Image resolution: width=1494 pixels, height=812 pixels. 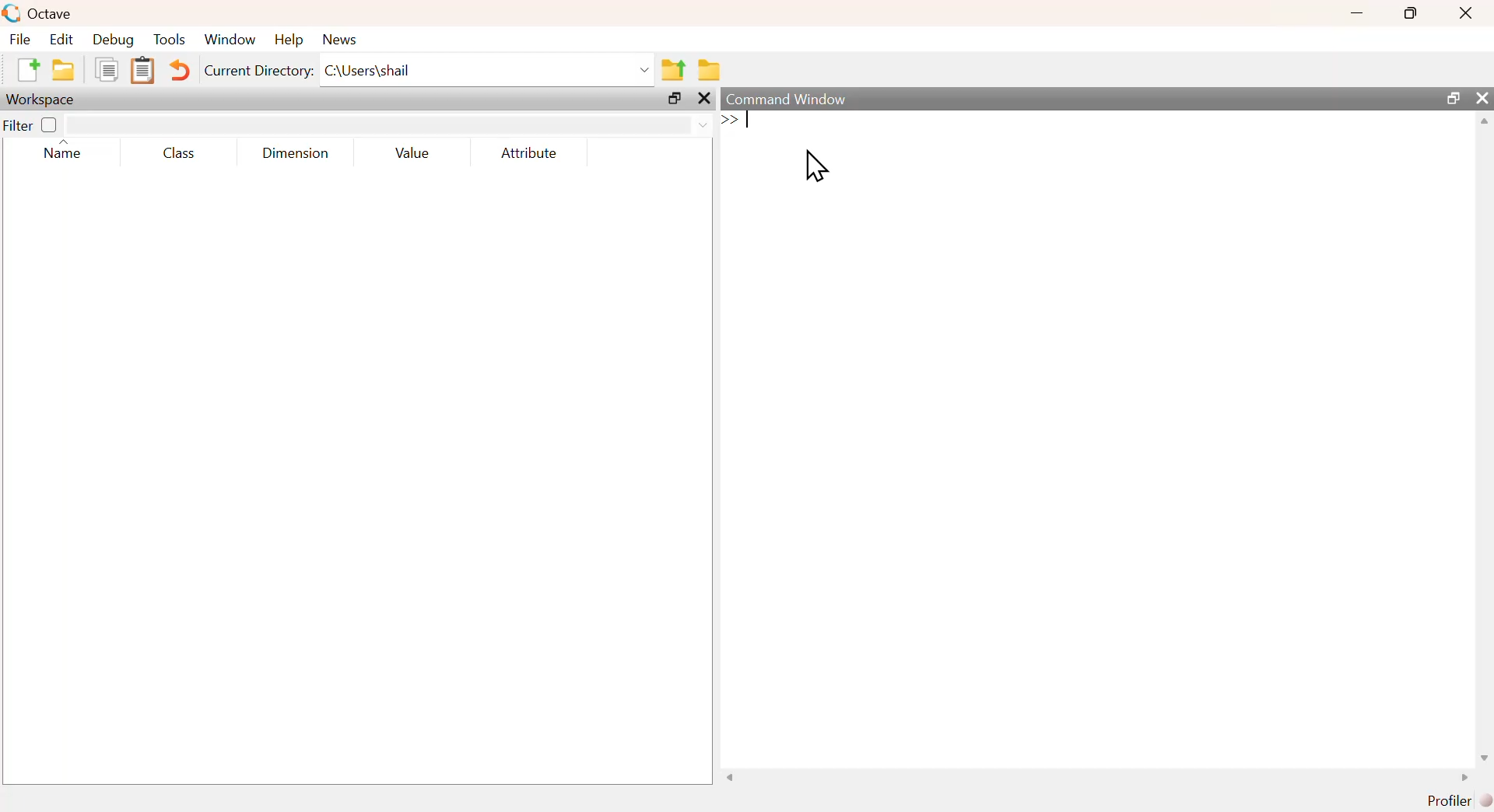 What do you see at coordinates (177, 153) in the screenshot?
I see `class` at bounding box center [177, 153].